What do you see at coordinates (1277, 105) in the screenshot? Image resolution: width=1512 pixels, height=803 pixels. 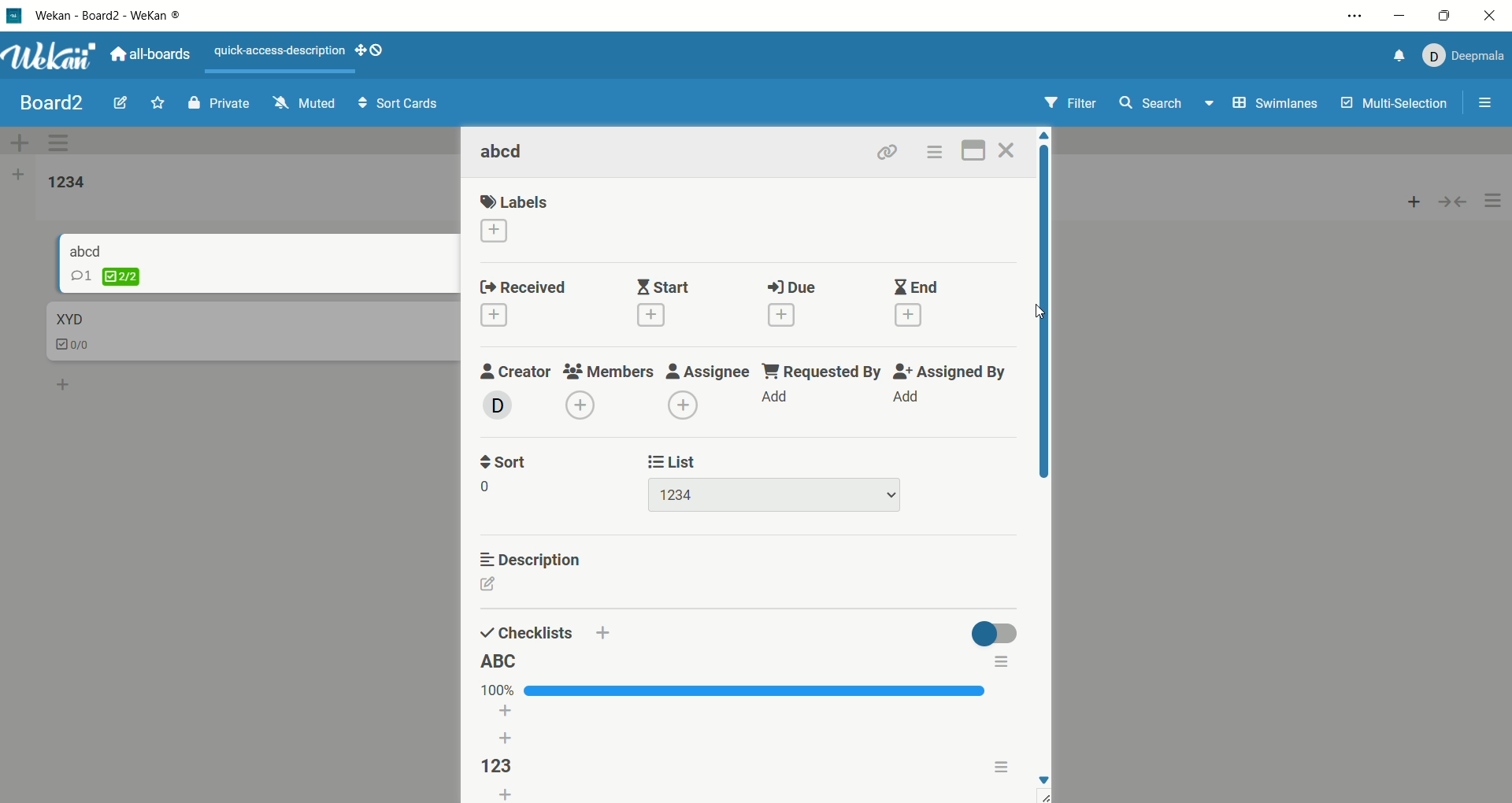 I see `swimlanes` at bounding box center [1277, 105].